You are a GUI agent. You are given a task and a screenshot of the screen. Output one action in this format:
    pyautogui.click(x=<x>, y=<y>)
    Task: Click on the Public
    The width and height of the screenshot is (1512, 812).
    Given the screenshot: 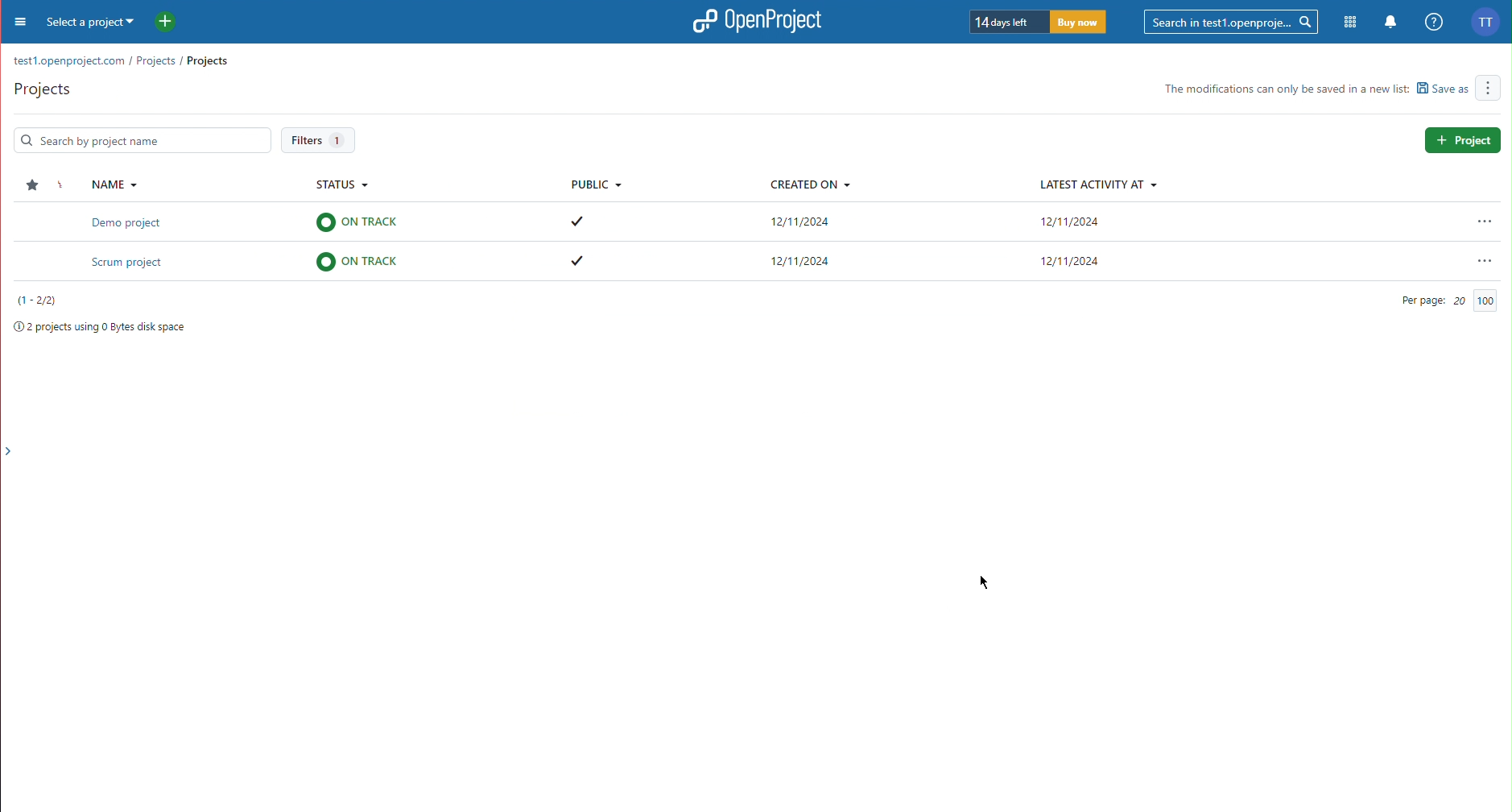 What is the action you would take?
    pyautogui.click(x=593, y=183)
    